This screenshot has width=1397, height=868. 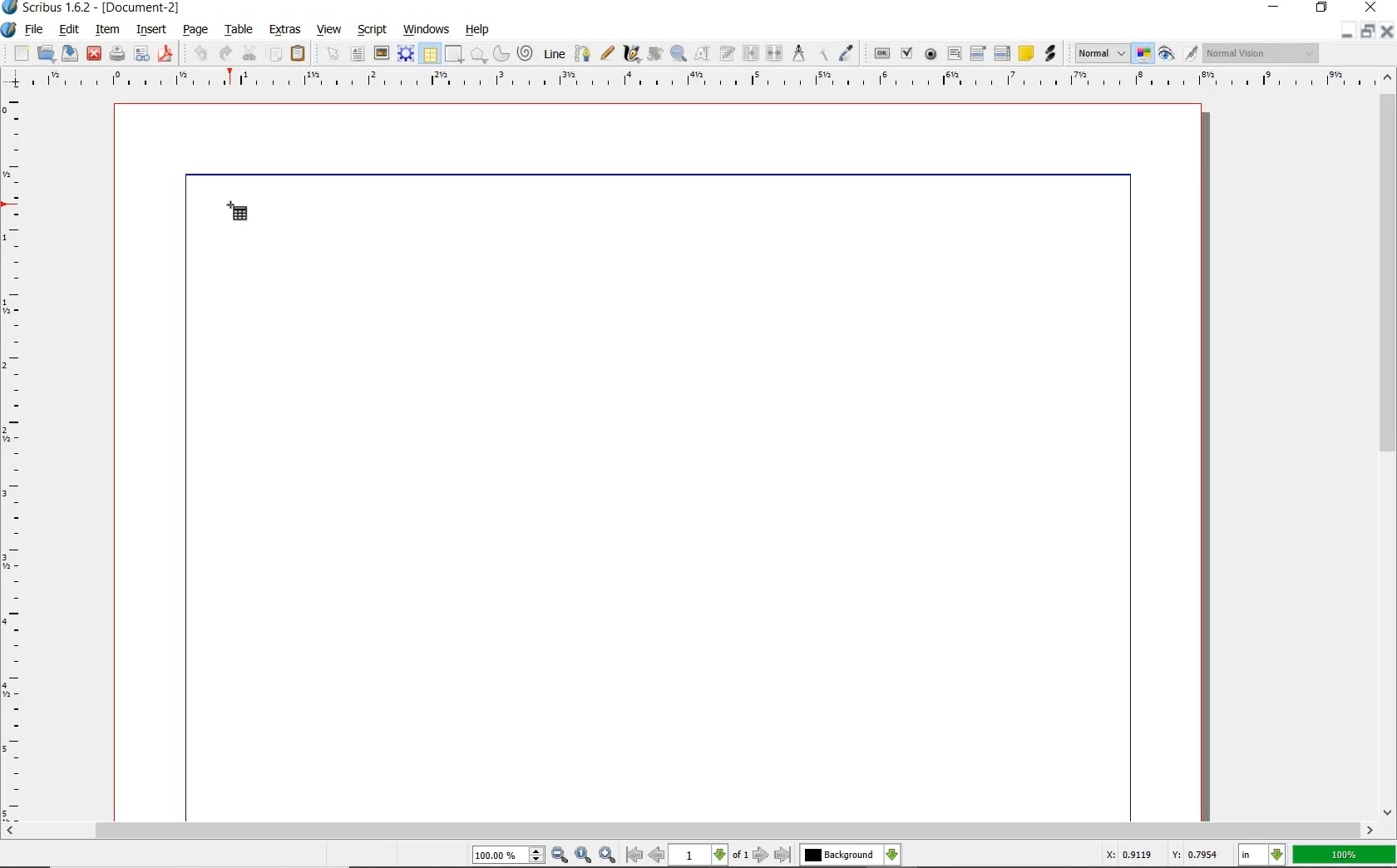 What do you see at coordinates (380, 54) in the screenshot?
I see `image frame` at bounding box center [380, 54].